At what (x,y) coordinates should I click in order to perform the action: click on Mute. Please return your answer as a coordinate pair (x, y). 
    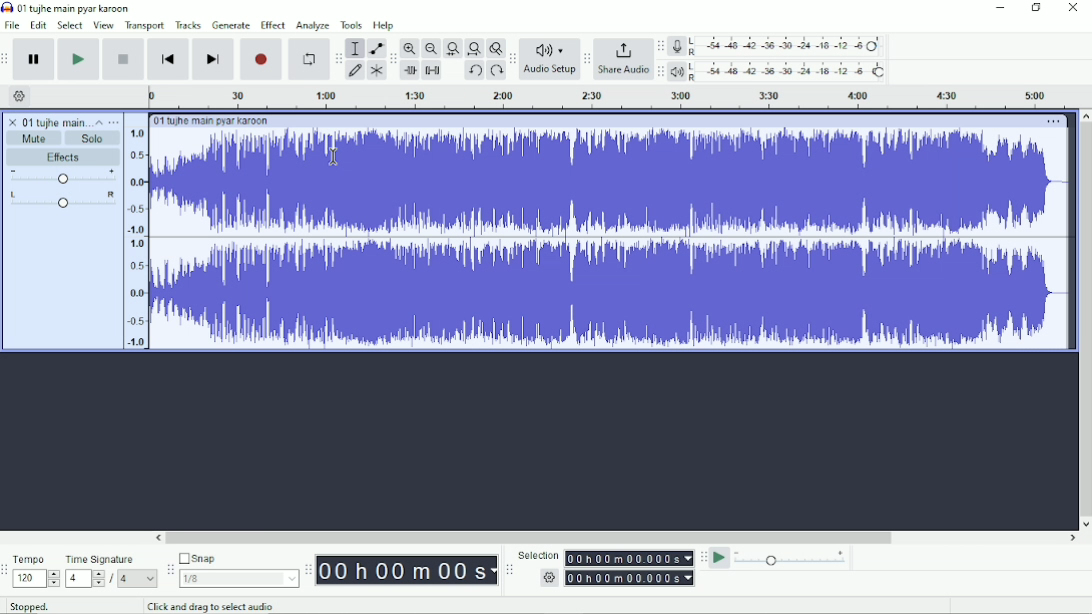
    Looking at the image, I should click on (35, 138).